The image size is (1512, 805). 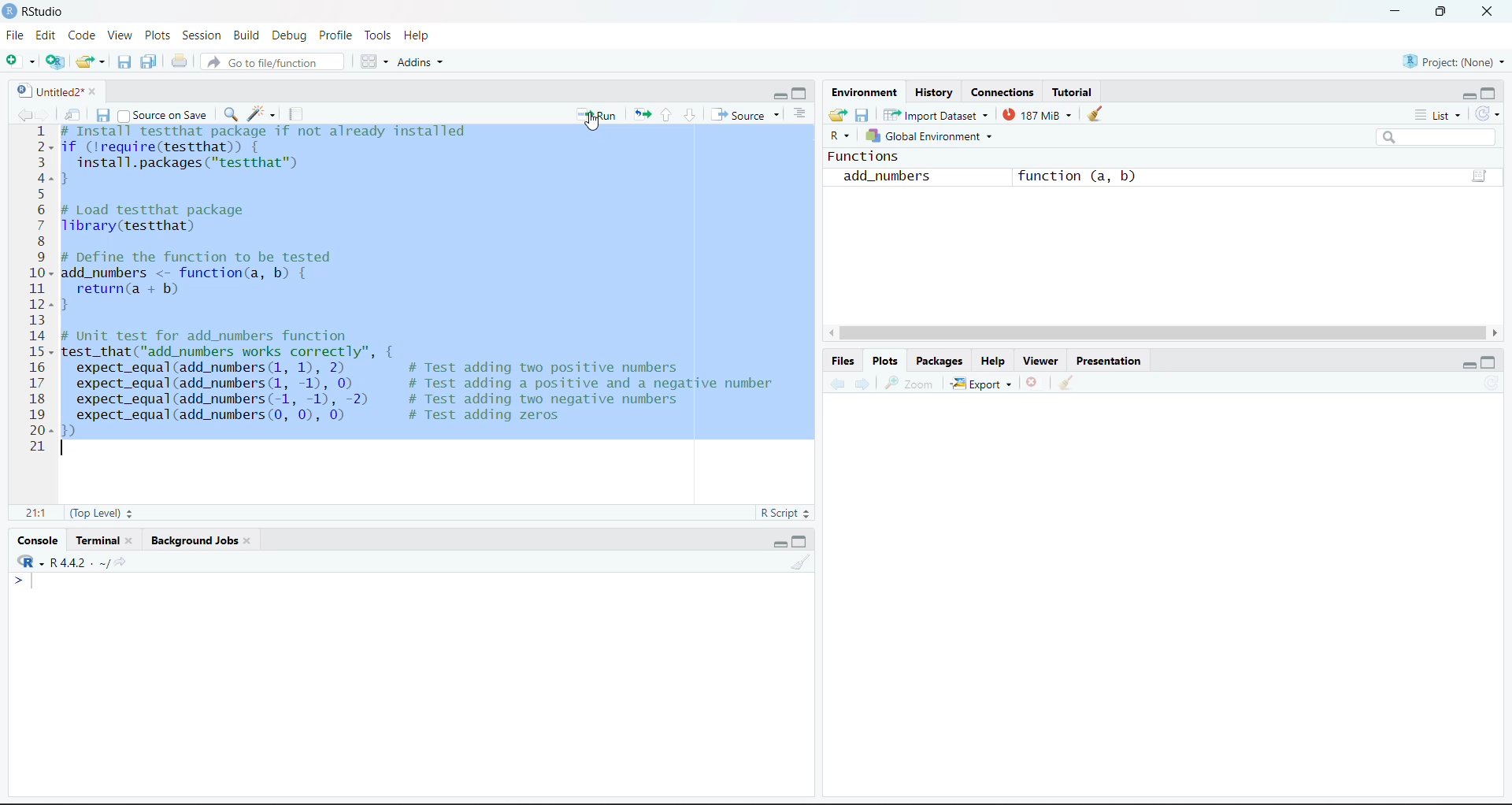 I want to click on close, so click(x=132, y=538).